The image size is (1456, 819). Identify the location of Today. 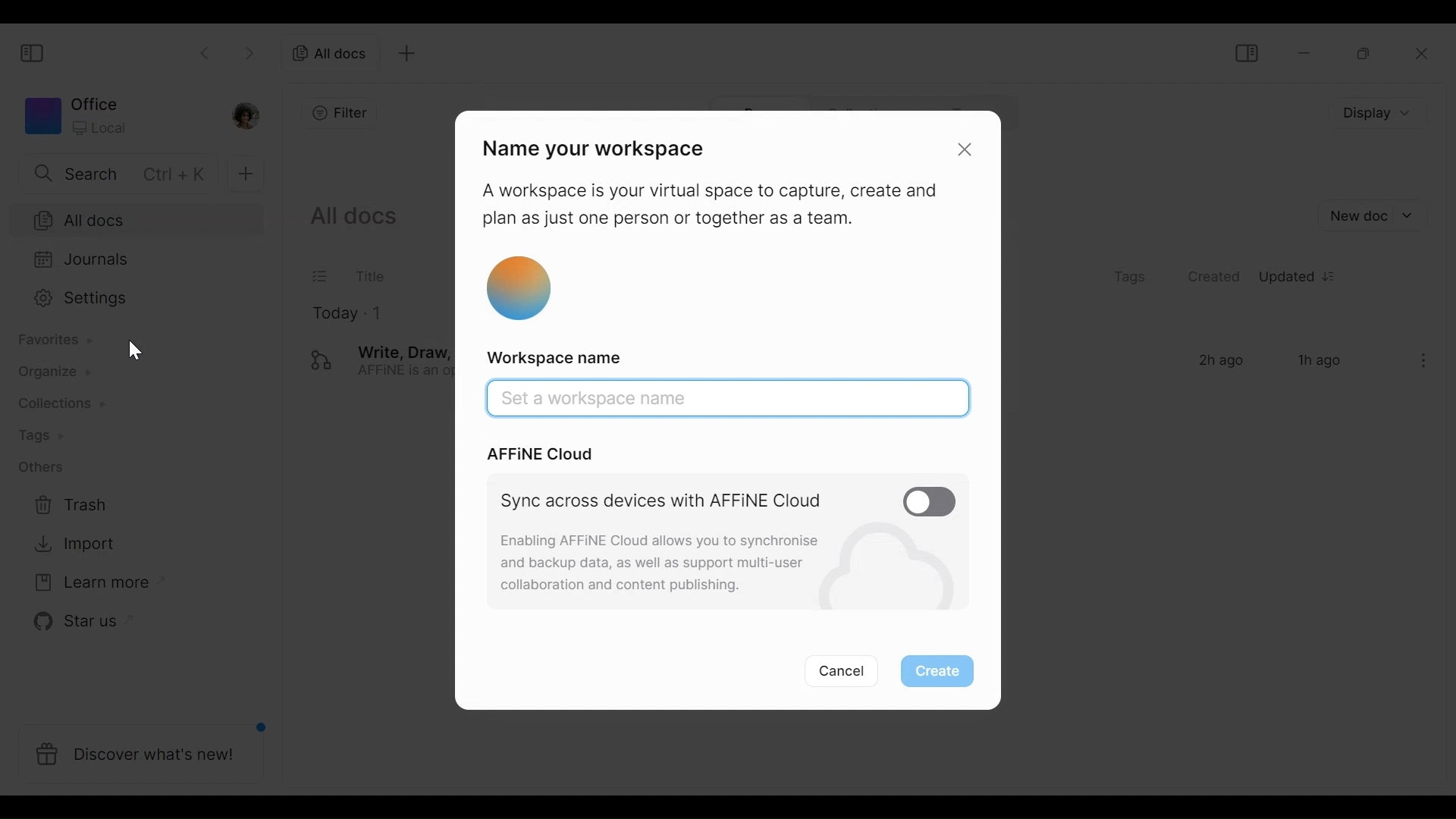
(334, 314).